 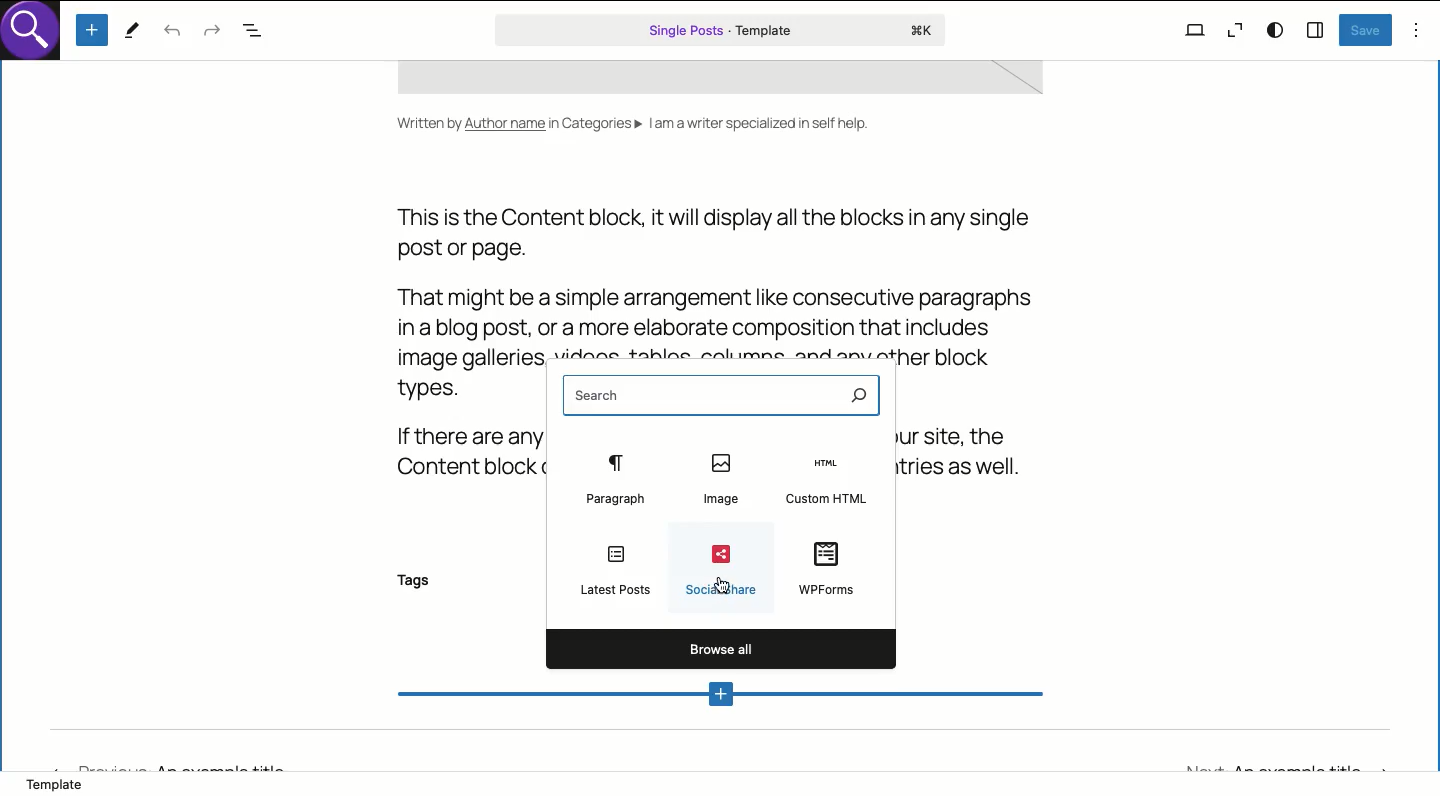 I want to click on Latest posts, so click(x=616, y=569).